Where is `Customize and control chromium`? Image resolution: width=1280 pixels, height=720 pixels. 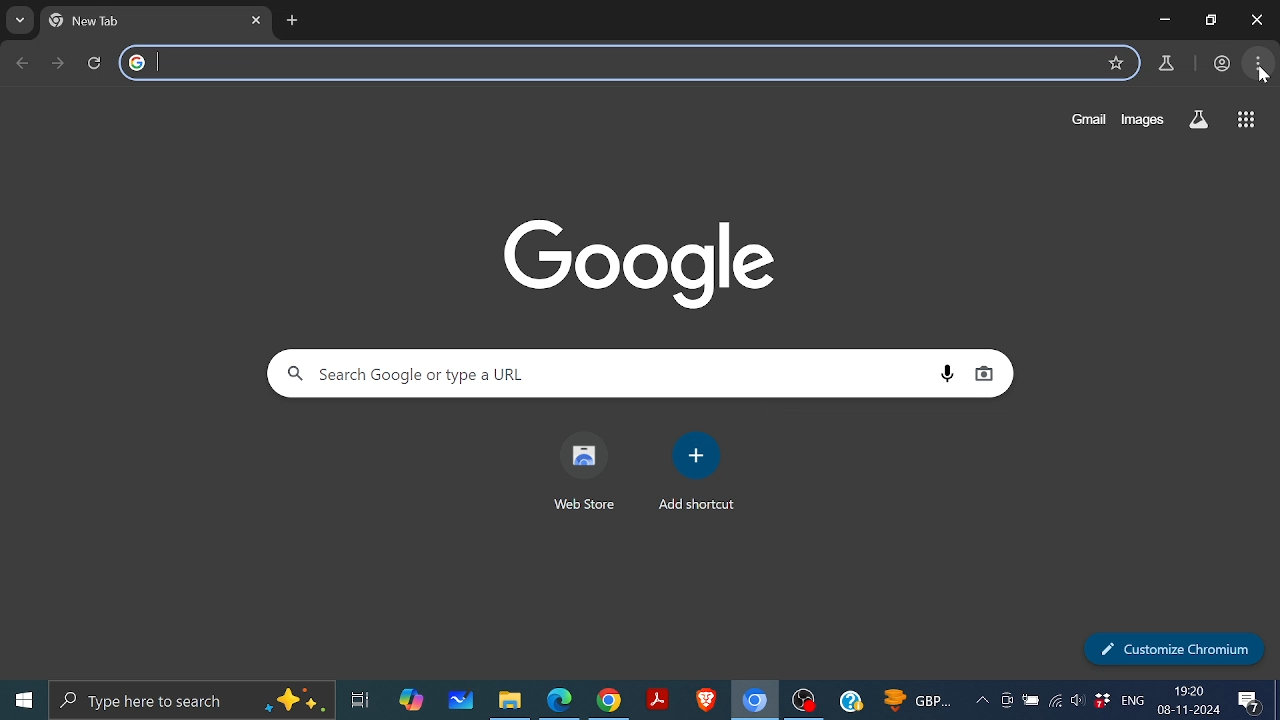
Customize and control chromium is located at coordinates (1258, 63).